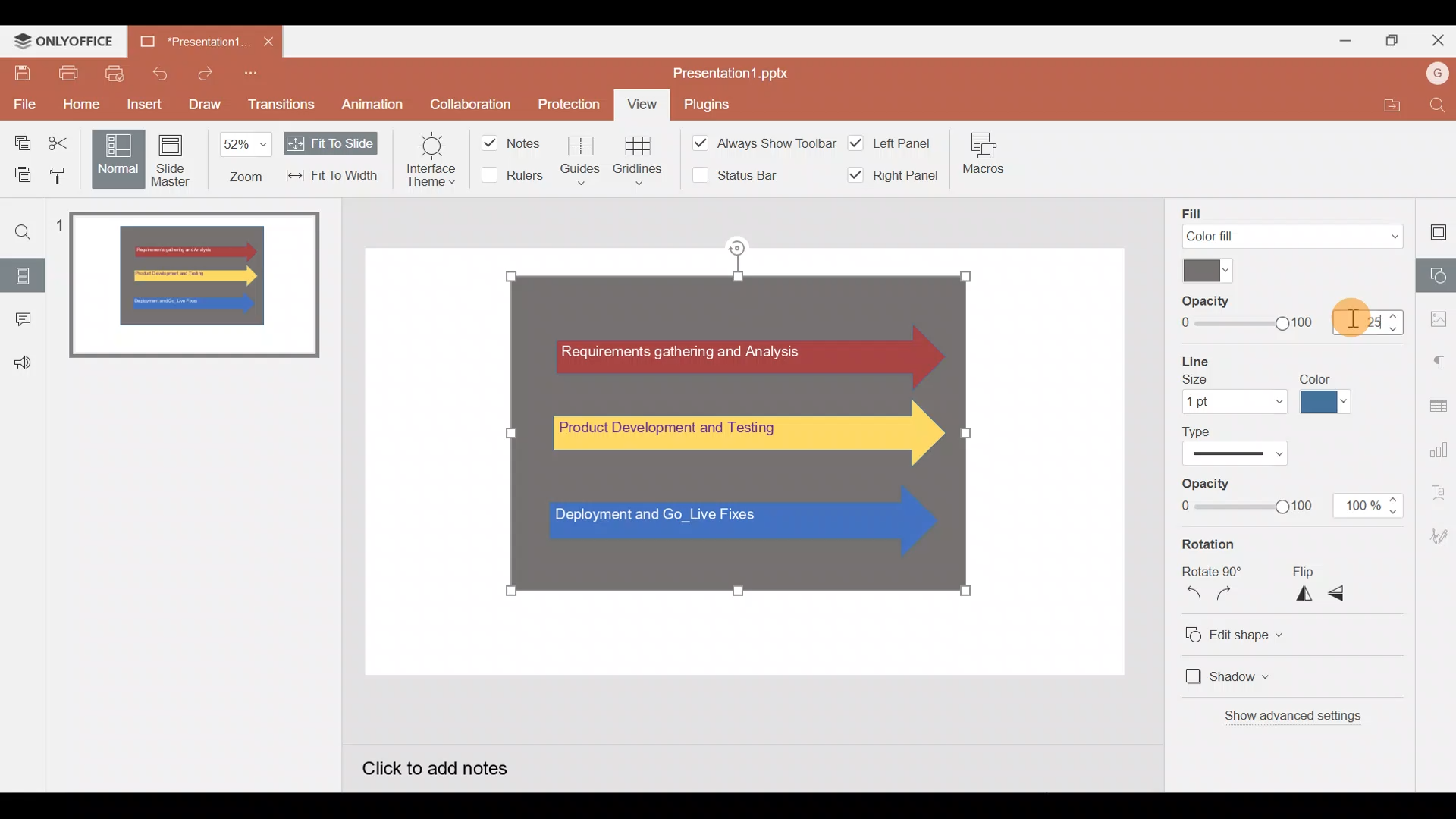  What do you see at coordinates (891, 141) in the screenshot?
I see `Left panel` at bounding box center [891, 141].